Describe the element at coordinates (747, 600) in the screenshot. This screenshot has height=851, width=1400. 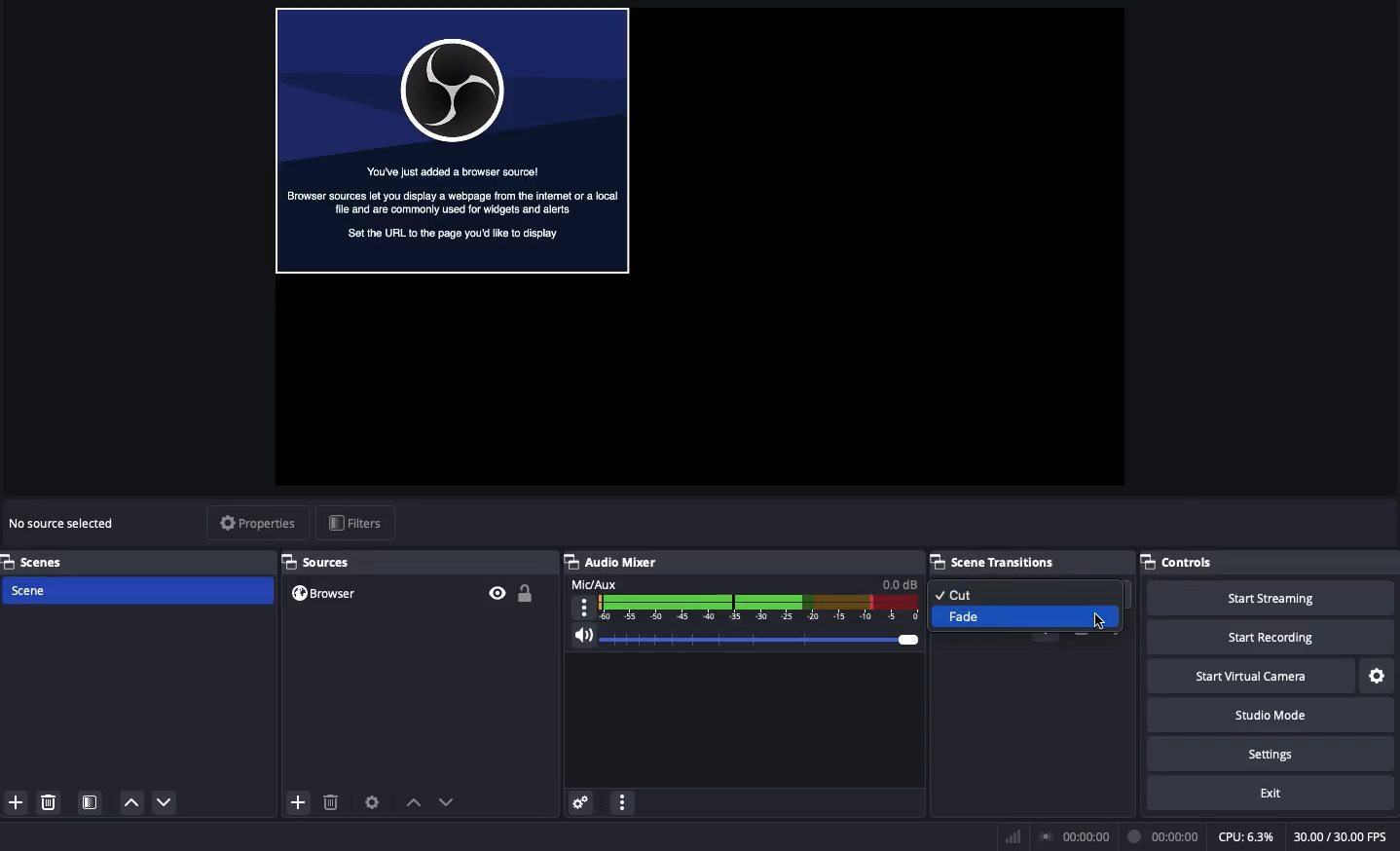
I see `Mic aux` at that location.